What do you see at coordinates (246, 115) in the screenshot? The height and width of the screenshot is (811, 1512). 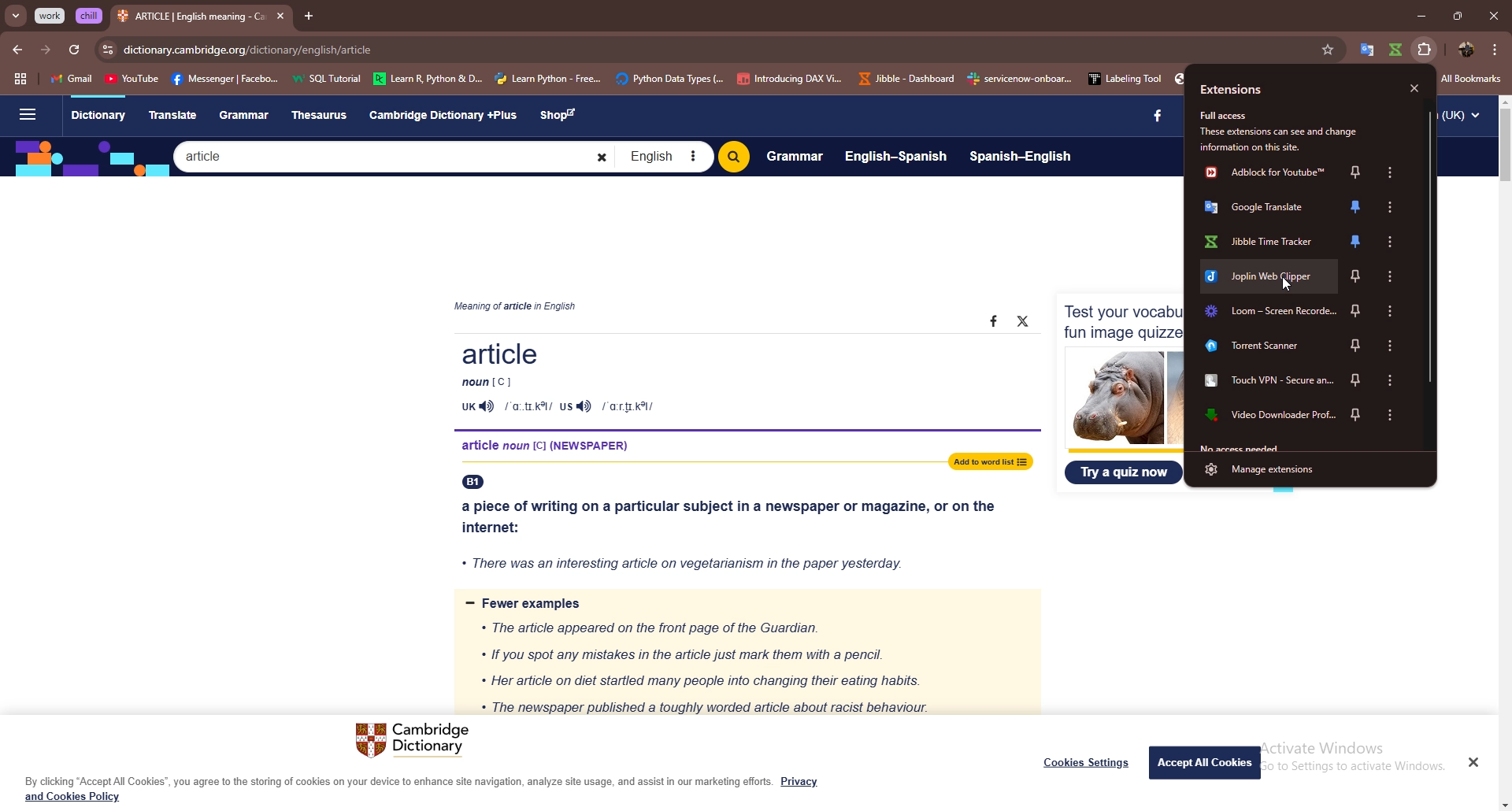 I see `Grammar` at bounding box center [246, 115].